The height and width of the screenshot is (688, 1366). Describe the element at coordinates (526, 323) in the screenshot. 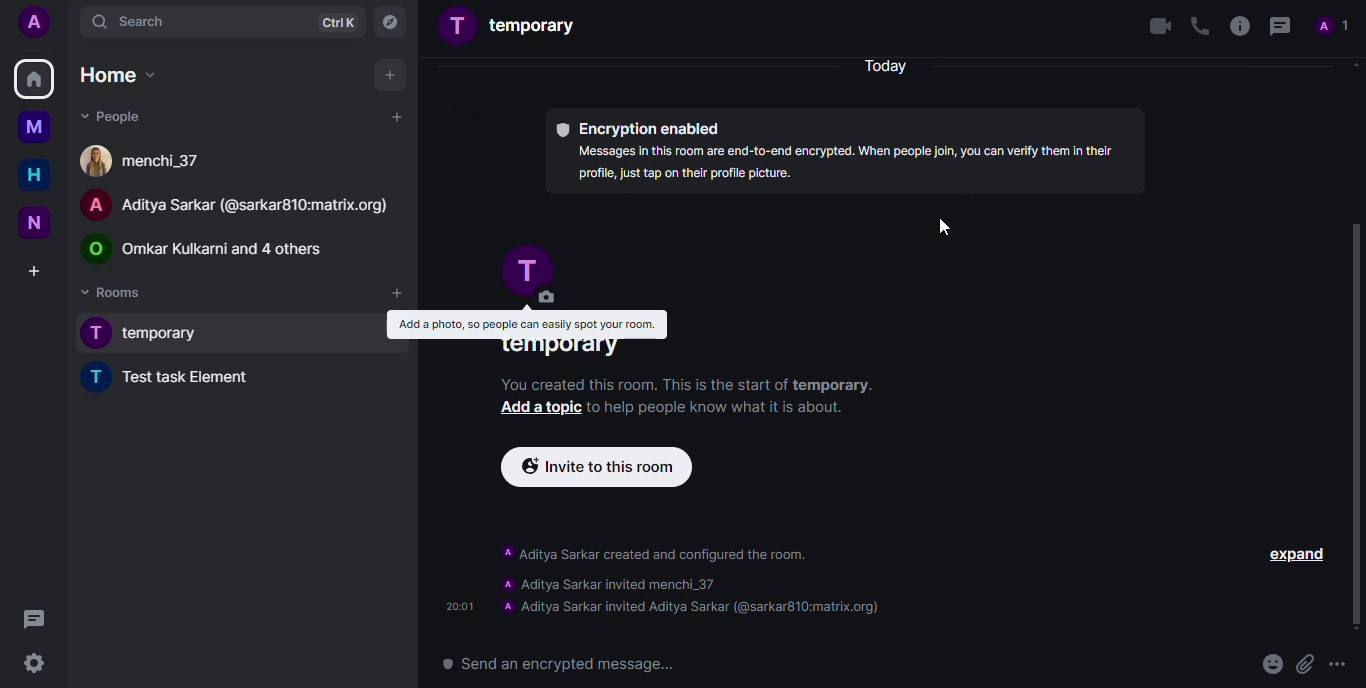

I see `Add a photo, so people can early spot your room. ` at that location.